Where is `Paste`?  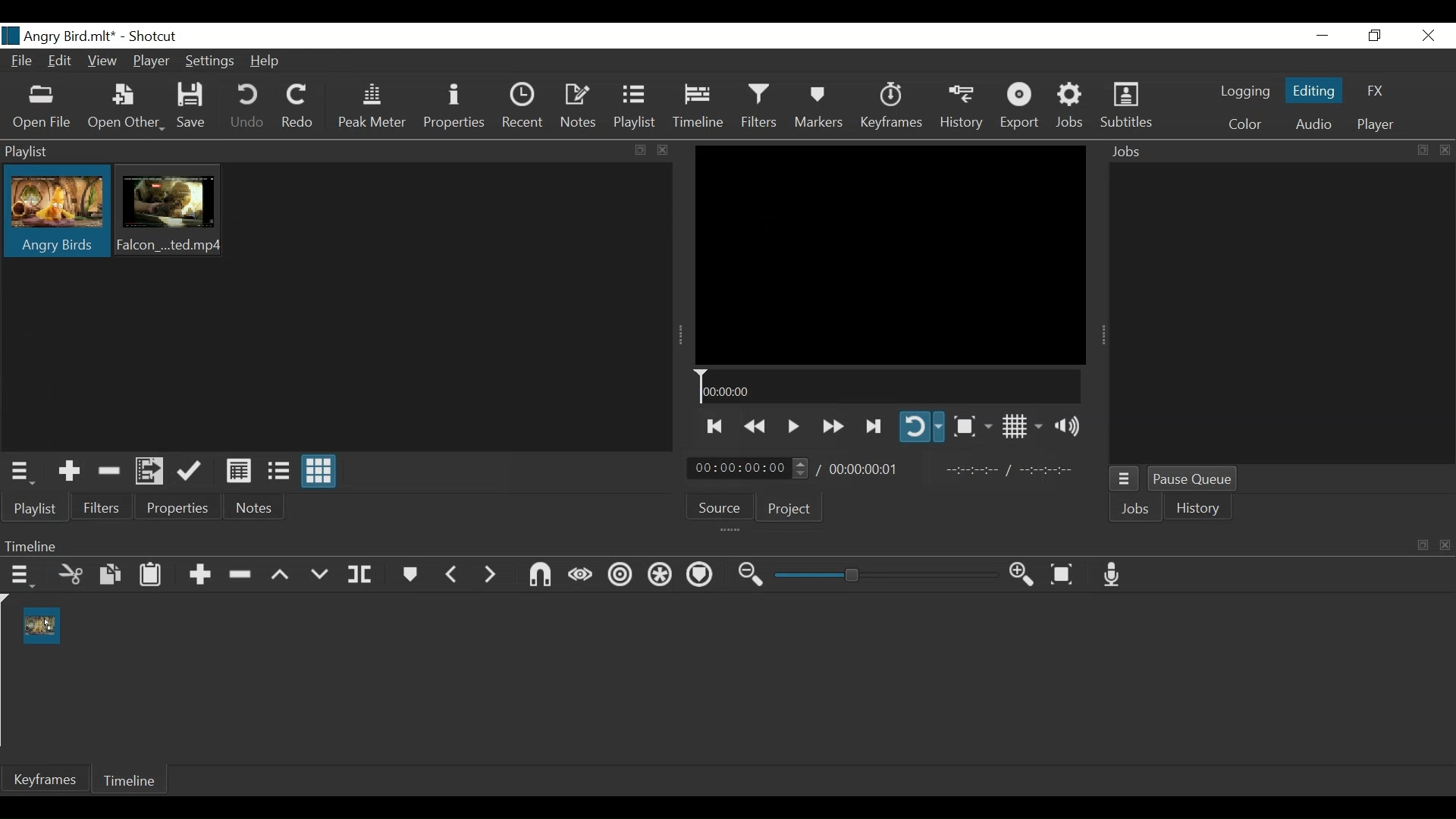 Paste is located at coordinates (149, 575).